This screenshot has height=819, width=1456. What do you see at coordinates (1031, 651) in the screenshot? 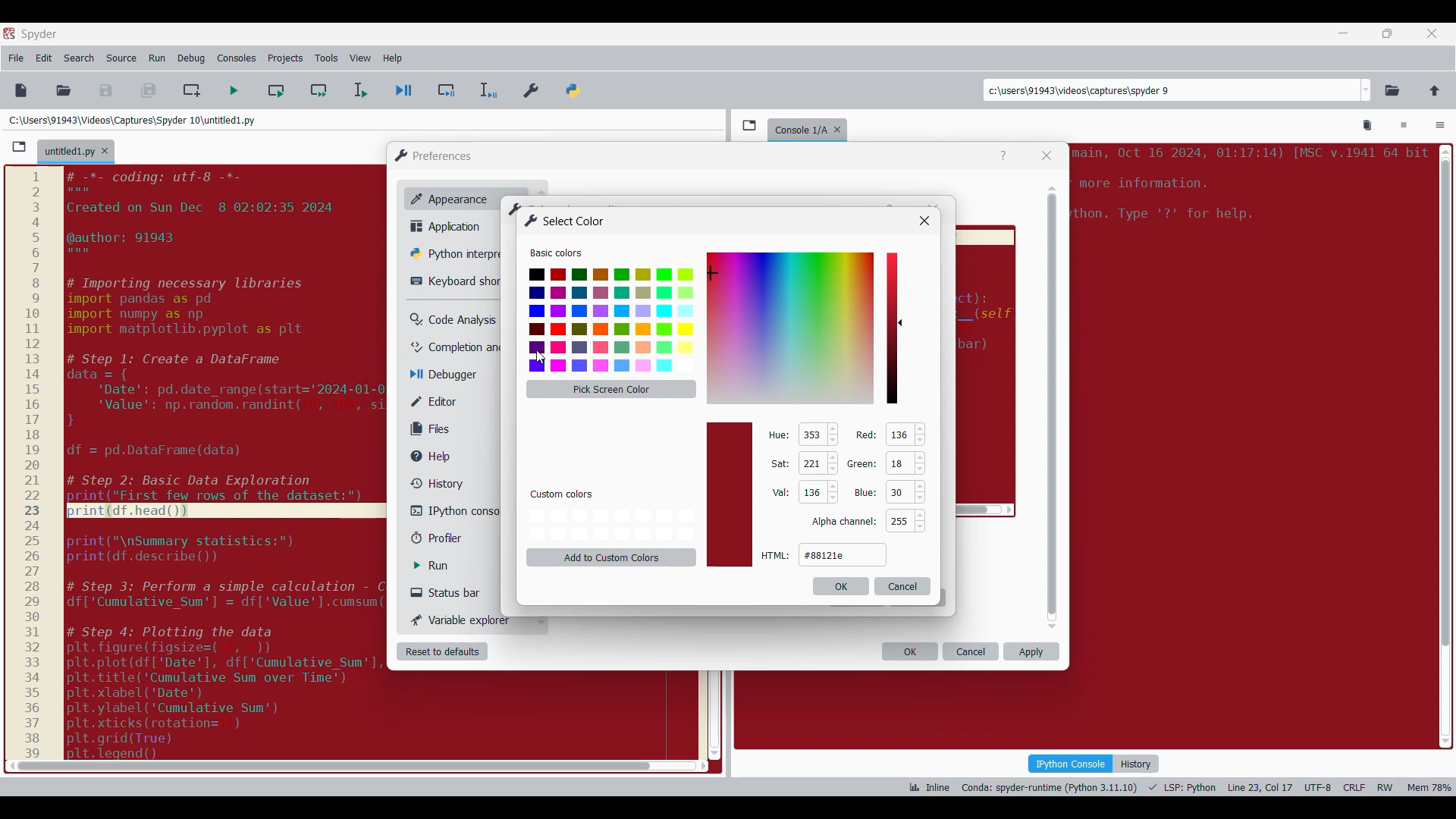
I see `Apply` at bounding box center [1031, 651].